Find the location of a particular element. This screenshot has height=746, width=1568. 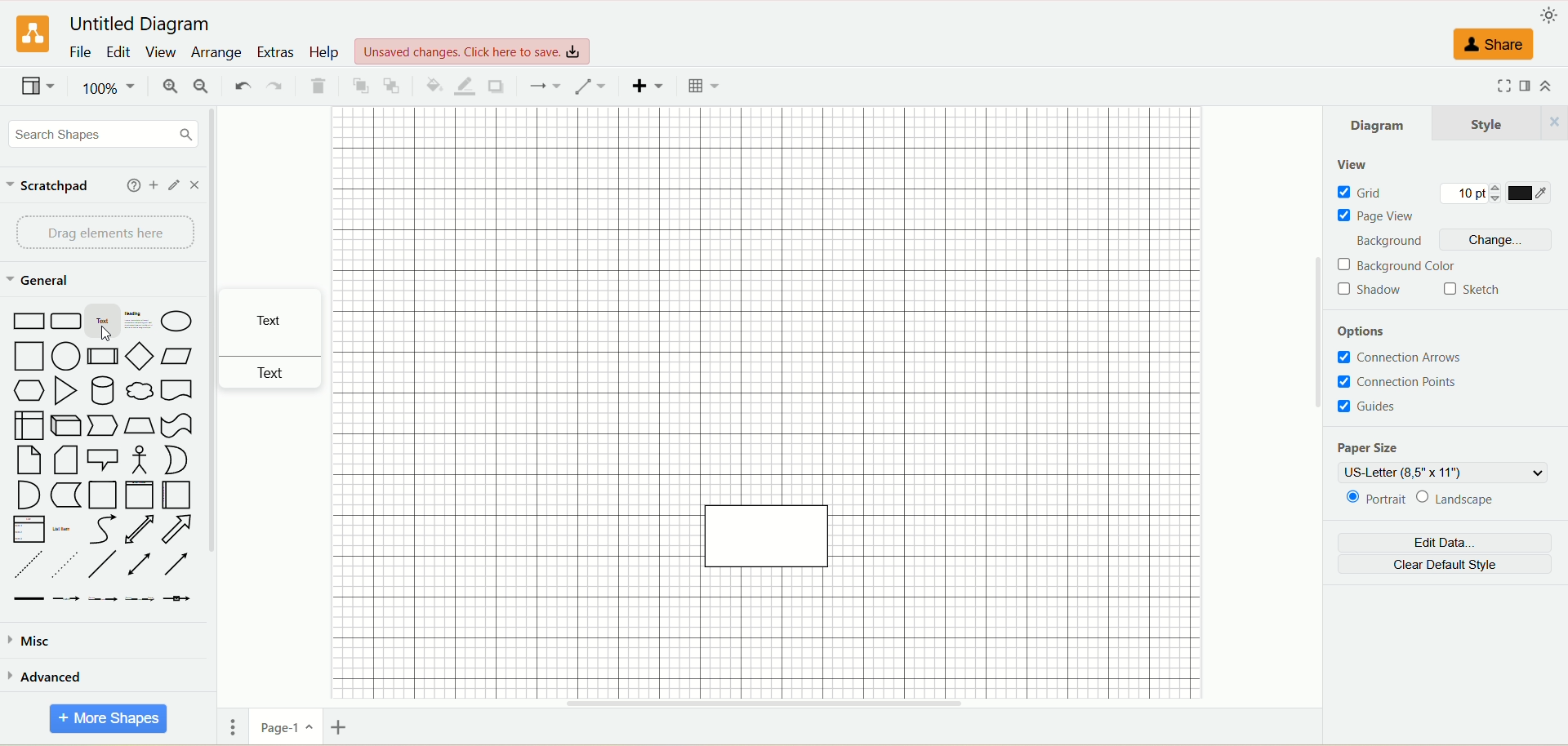

appearance is located at coordinates (1552, 15).